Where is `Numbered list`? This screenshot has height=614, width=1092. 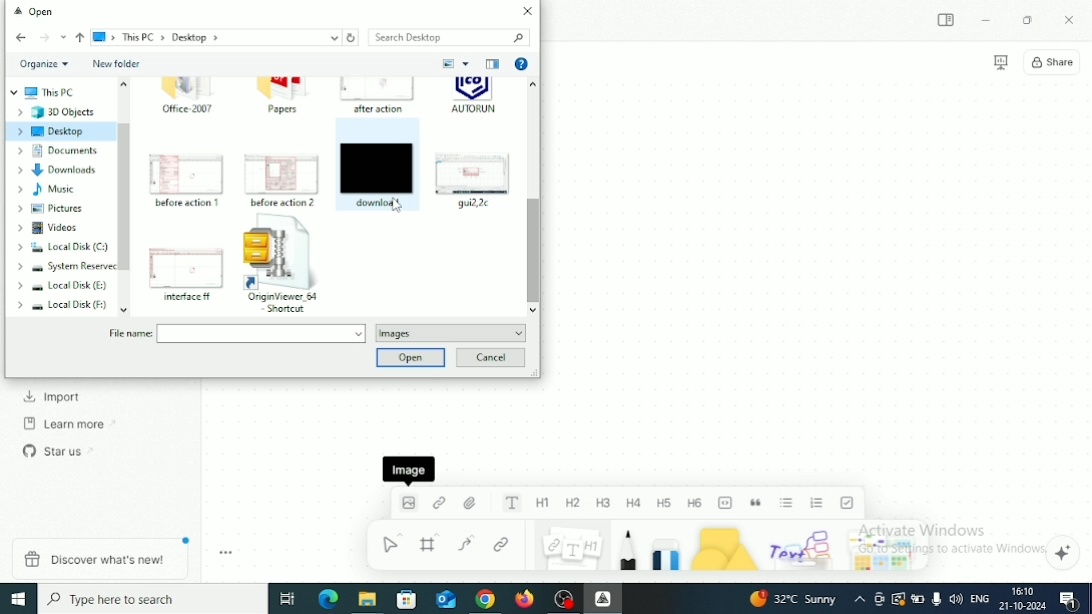 Numbered list is located at coordinates (818, 503).